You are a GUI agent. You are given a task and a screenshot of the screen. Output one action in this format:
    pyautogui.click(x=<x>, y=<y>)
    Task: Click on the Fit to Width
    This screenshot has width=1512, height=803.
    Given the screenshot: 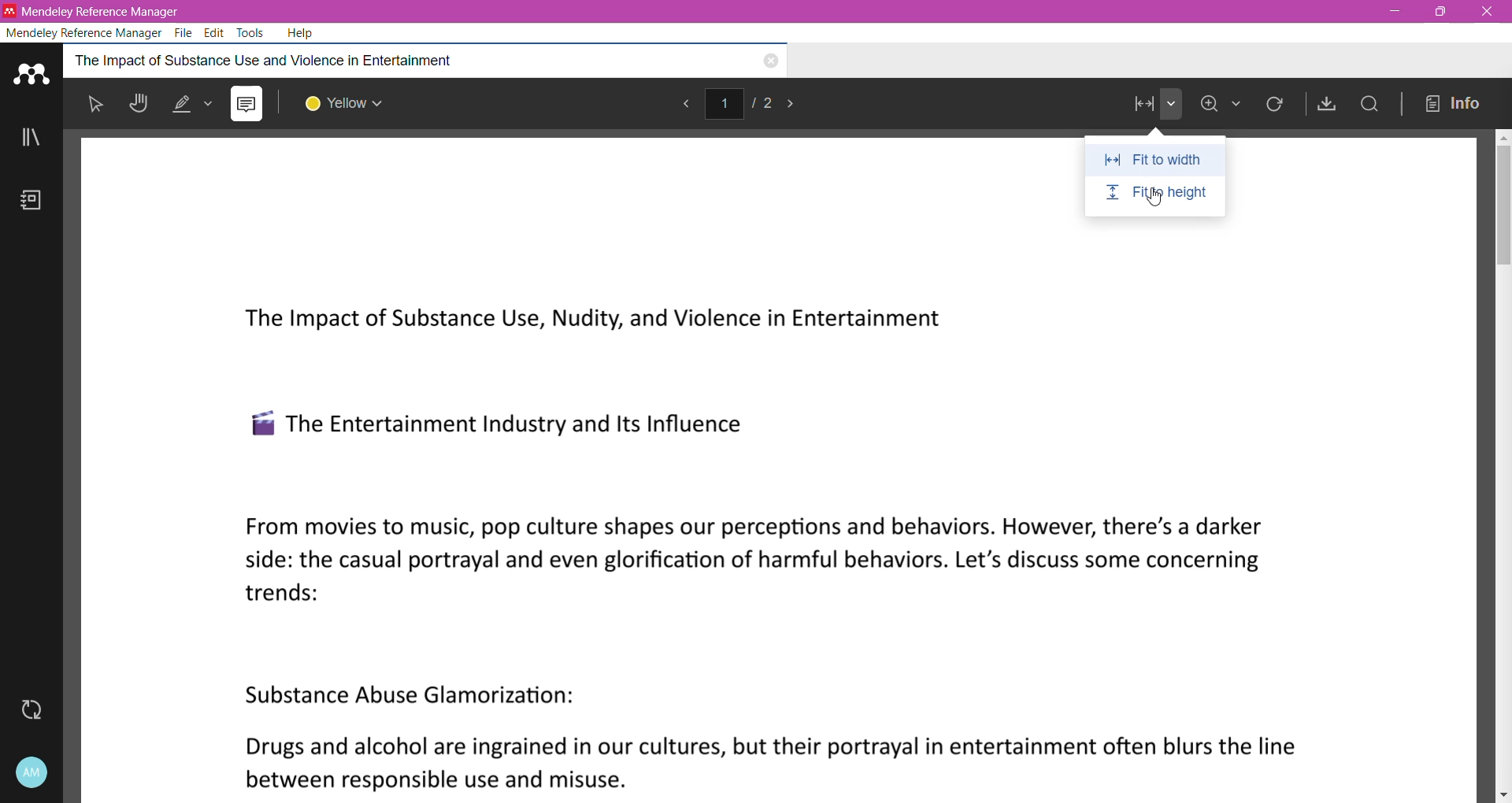 What is the action you would take?
    pyautogui.click(x=1154, y=160)
    